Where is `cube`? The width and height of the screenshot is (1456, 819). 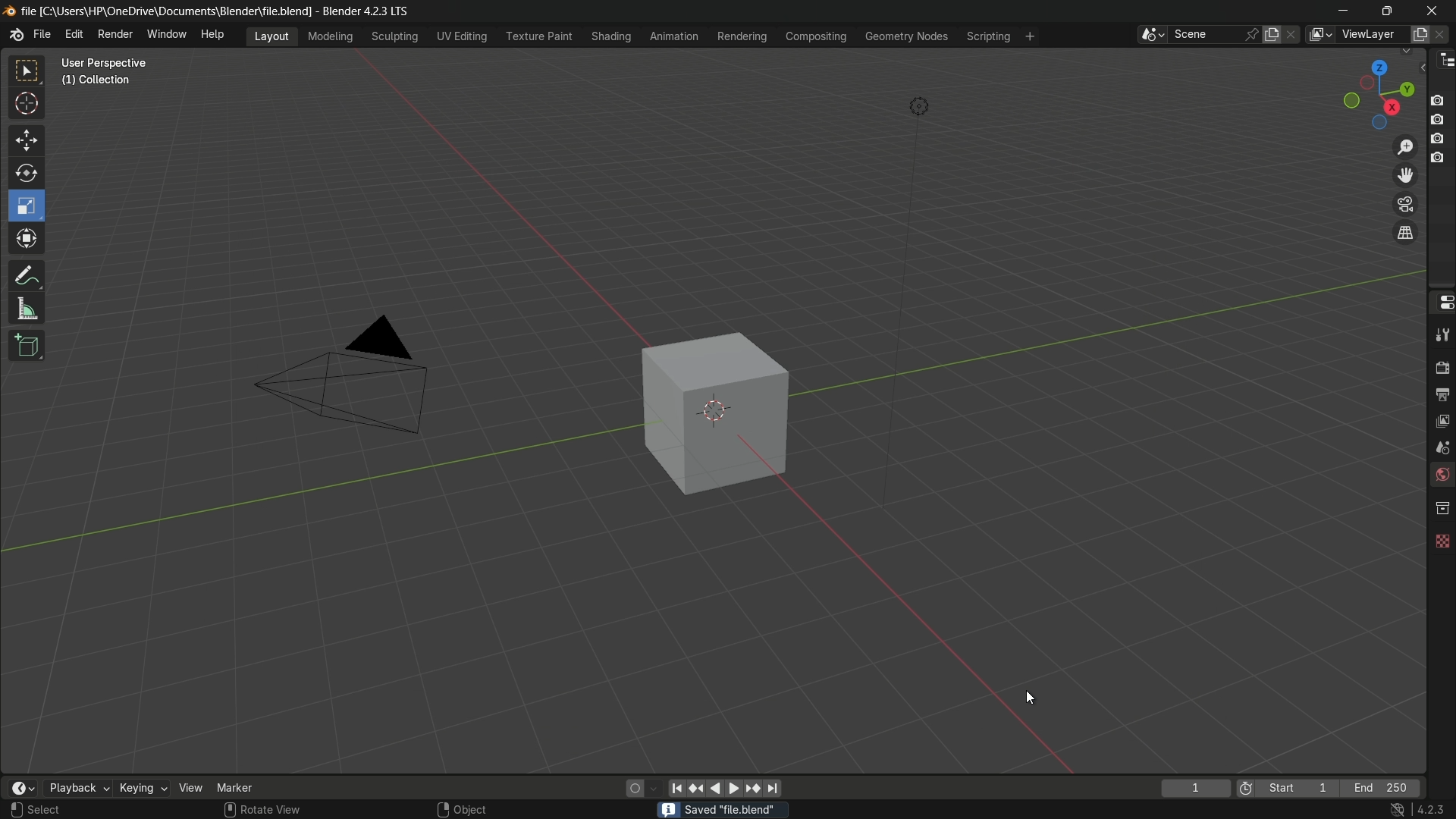 cube is located at coordinates (705, 413).